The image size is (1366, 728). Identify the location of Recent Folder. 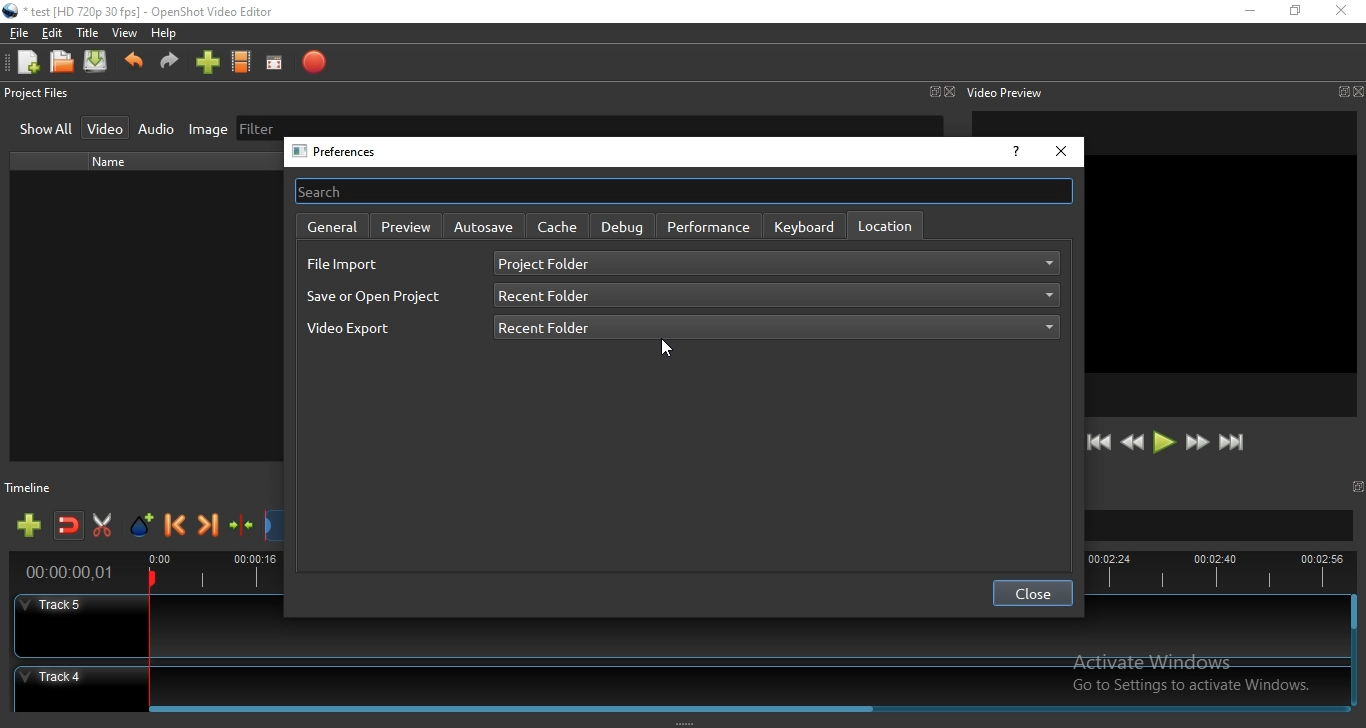
(775, 297).